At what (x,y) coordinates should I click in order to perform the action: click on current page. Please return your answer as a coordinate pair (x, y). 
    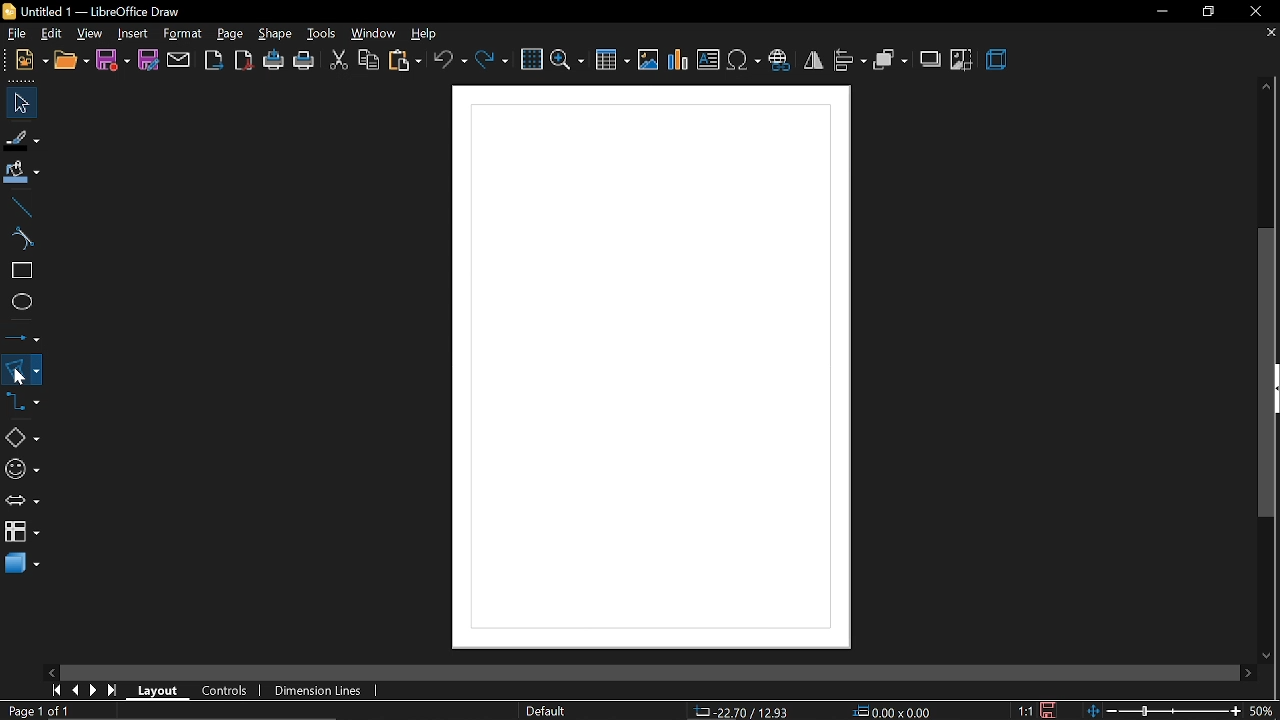
    Looking at the image, I should click on (42, 711).